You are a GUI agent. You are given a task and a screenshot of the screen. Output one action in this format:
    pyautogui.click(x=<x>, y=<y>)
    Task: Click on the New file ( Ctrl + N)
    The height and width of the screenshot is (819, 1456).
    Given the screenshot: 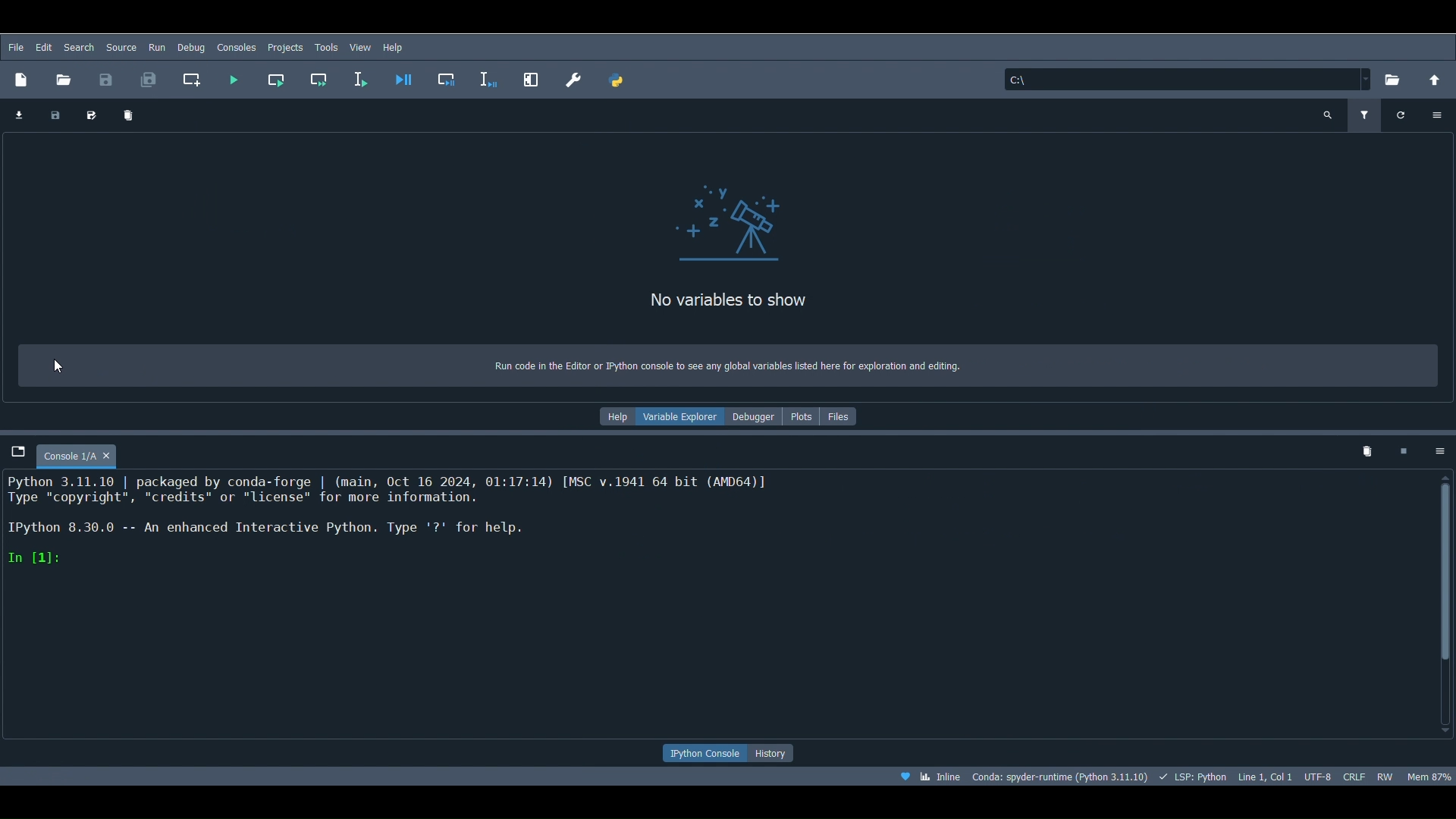 What is the action you would take?
    pyautogui.click(x=22, y=78)
    